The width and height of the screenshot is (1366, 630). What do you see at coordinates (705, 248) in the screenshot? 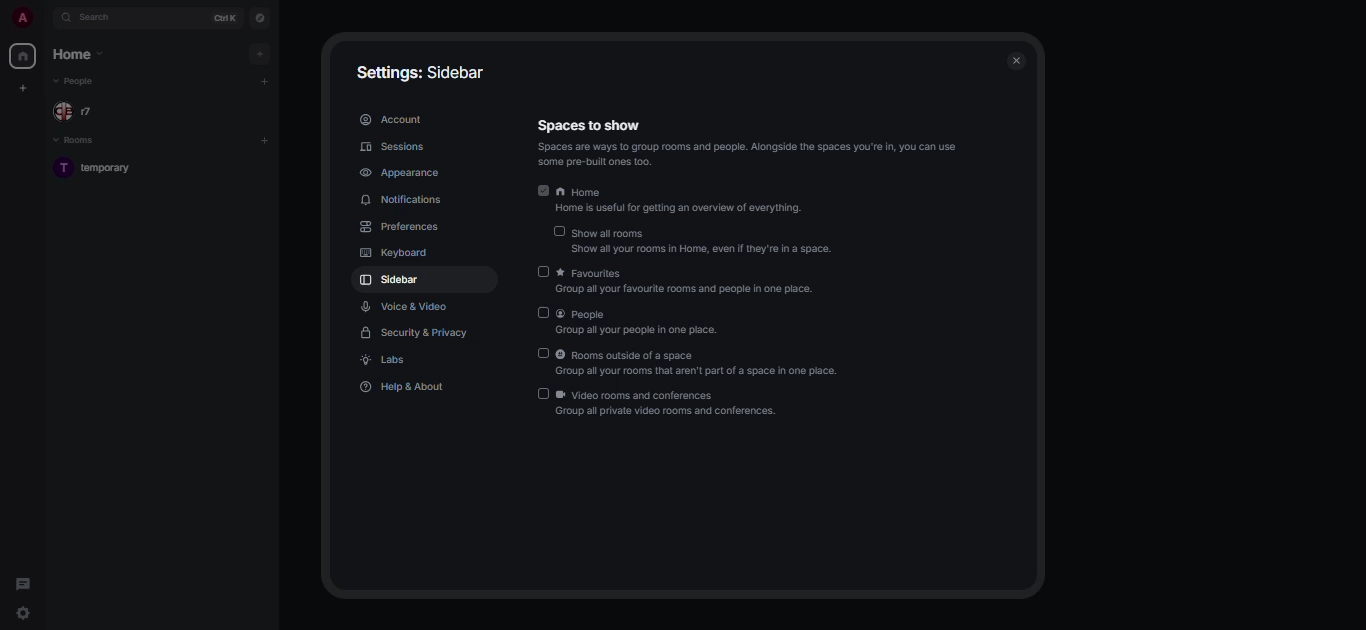
I see `Show all your rooms in Home, even il they're in a space.` at bounding box center [705, 248].